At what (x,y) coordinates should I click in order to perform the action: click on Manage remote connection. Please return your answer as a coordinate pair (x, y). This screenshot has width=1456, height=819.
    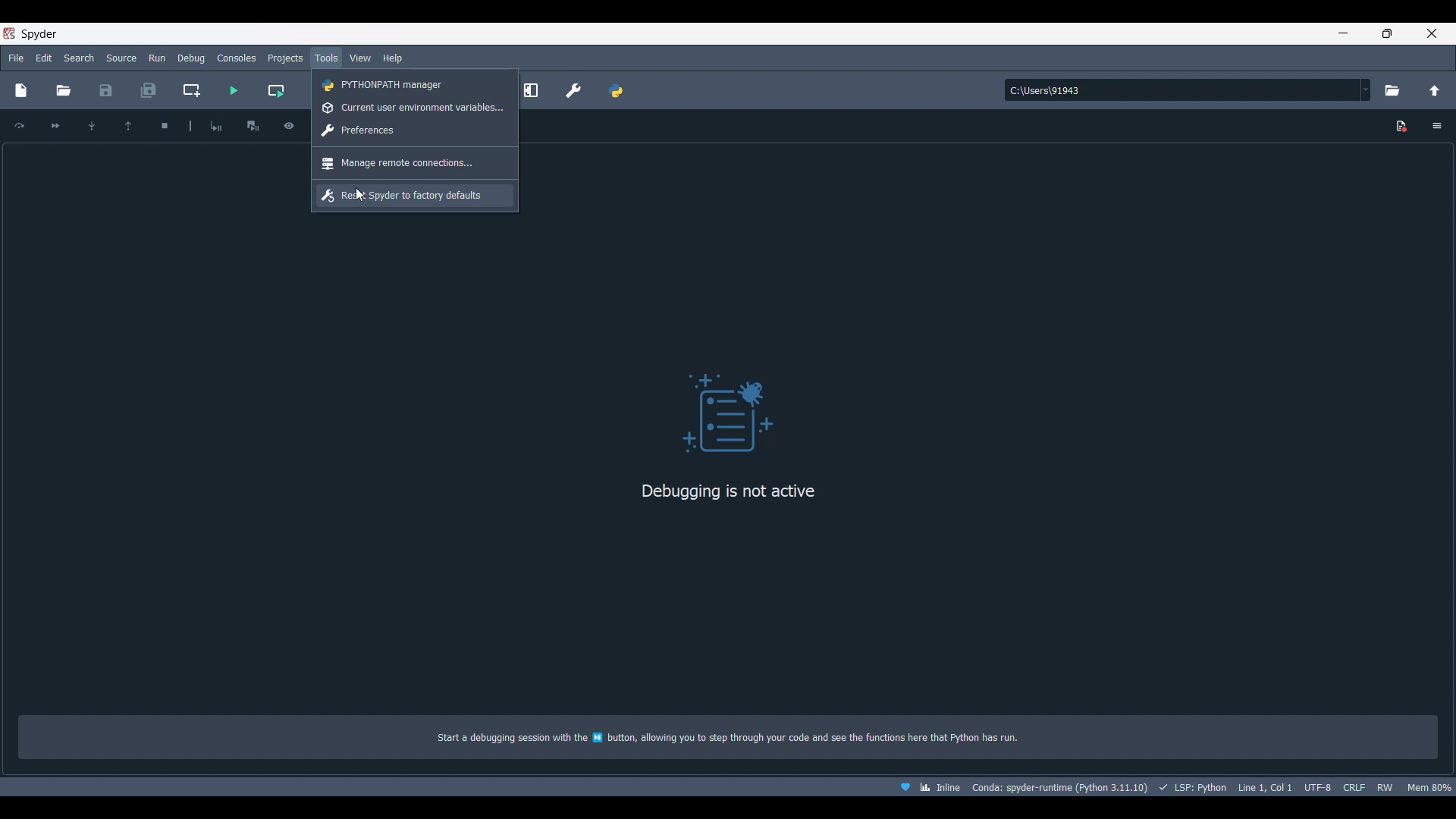
    Looking at the image, I should click on (414, 164).